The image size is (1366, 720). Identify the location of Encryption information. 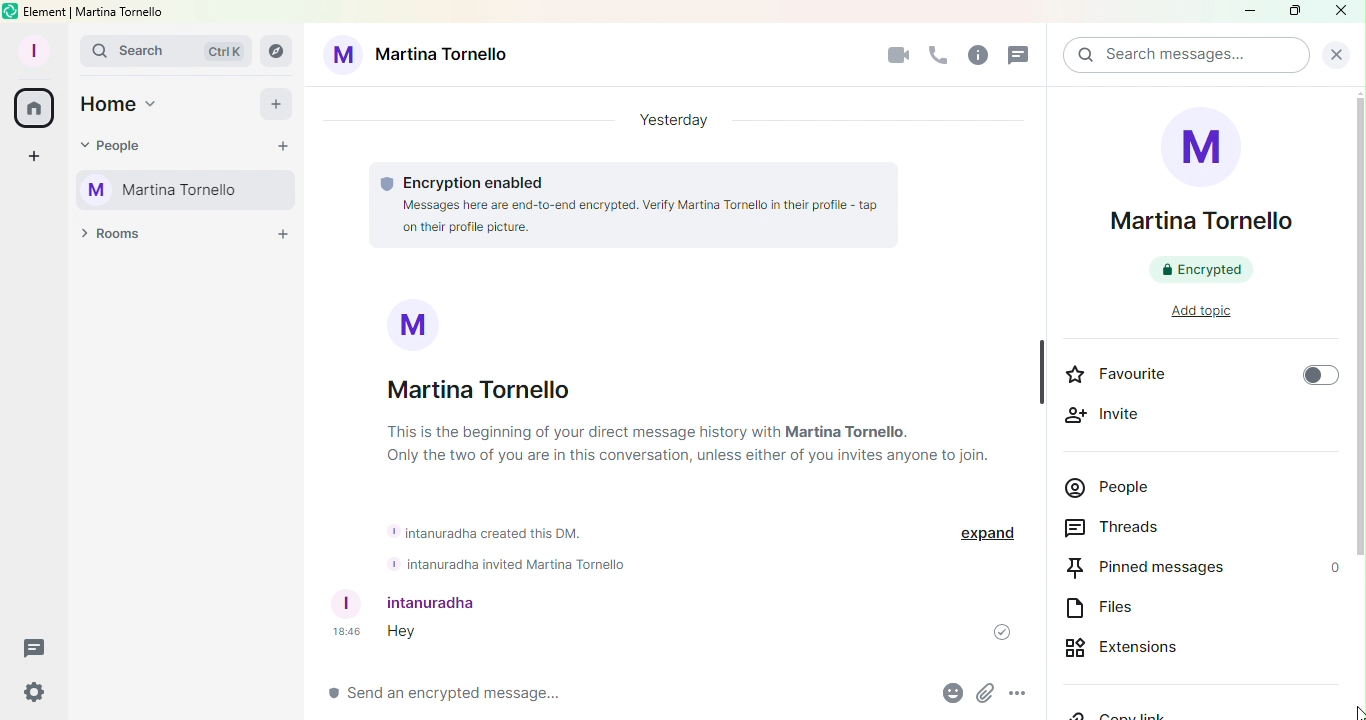
(460, 180).